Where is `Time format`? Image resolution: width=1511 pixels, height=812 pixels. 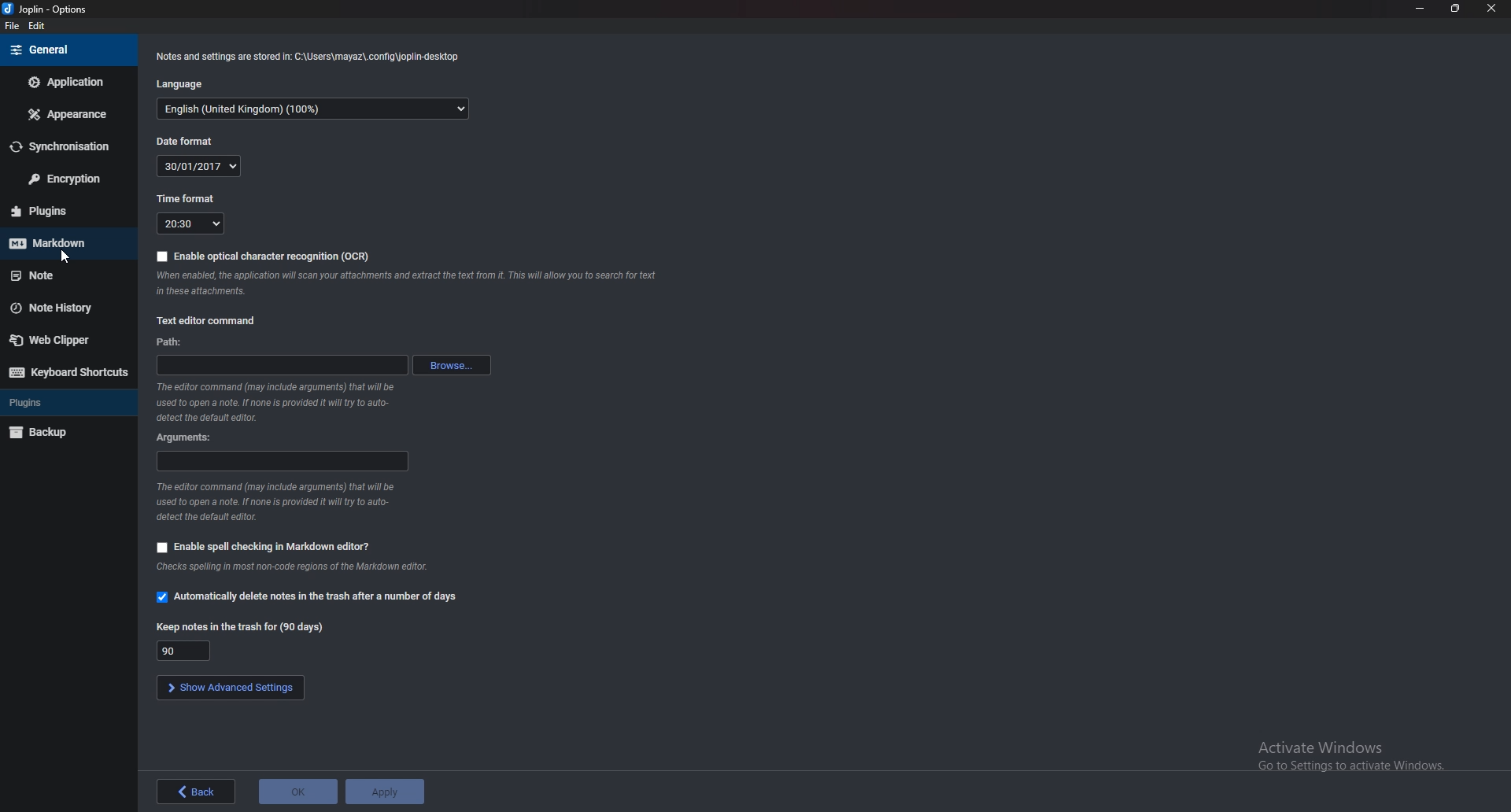
Time format is located at coordinates (183, 200).